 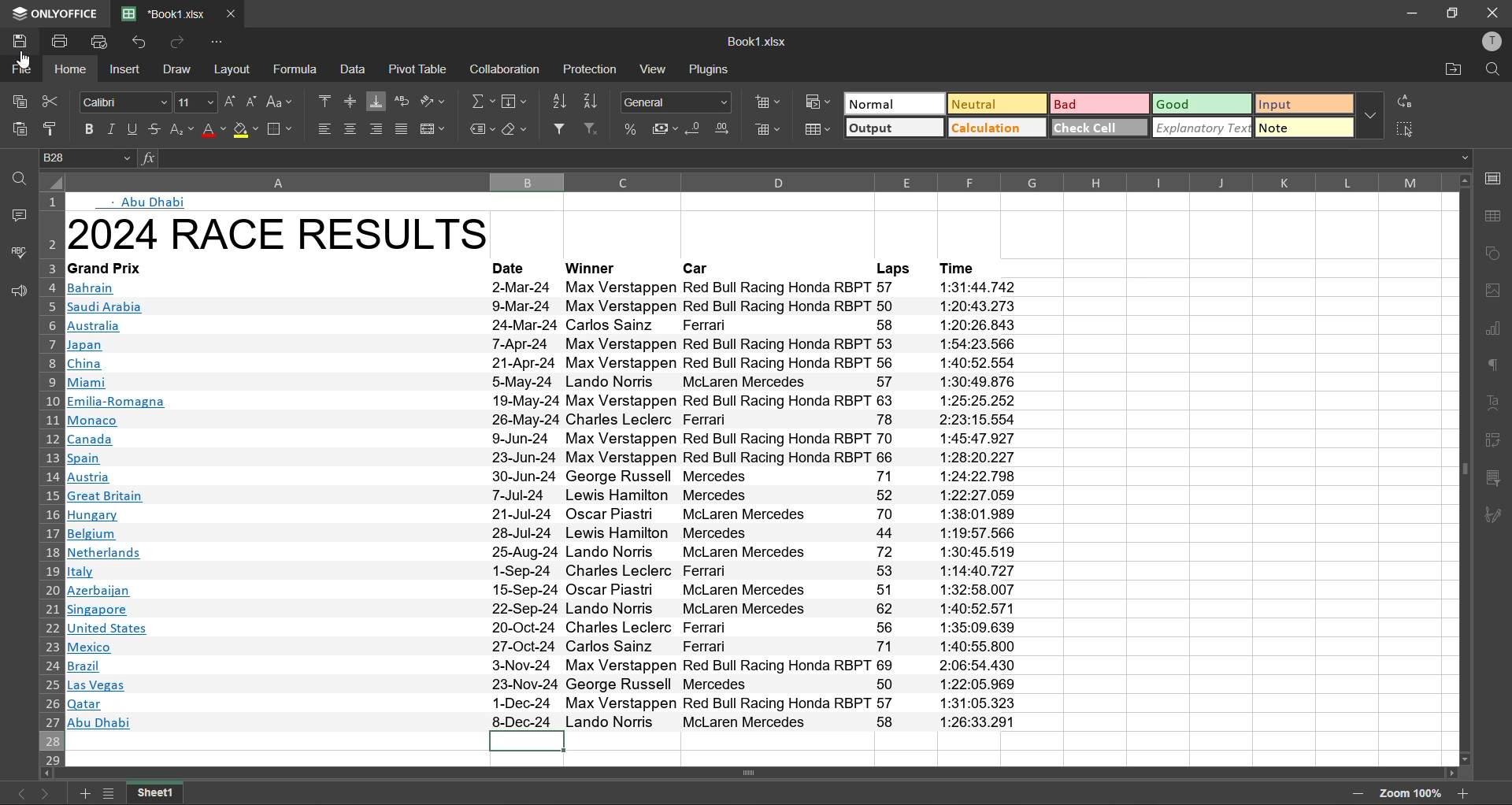 I want to click on move right, so click(x=1454, y=775).